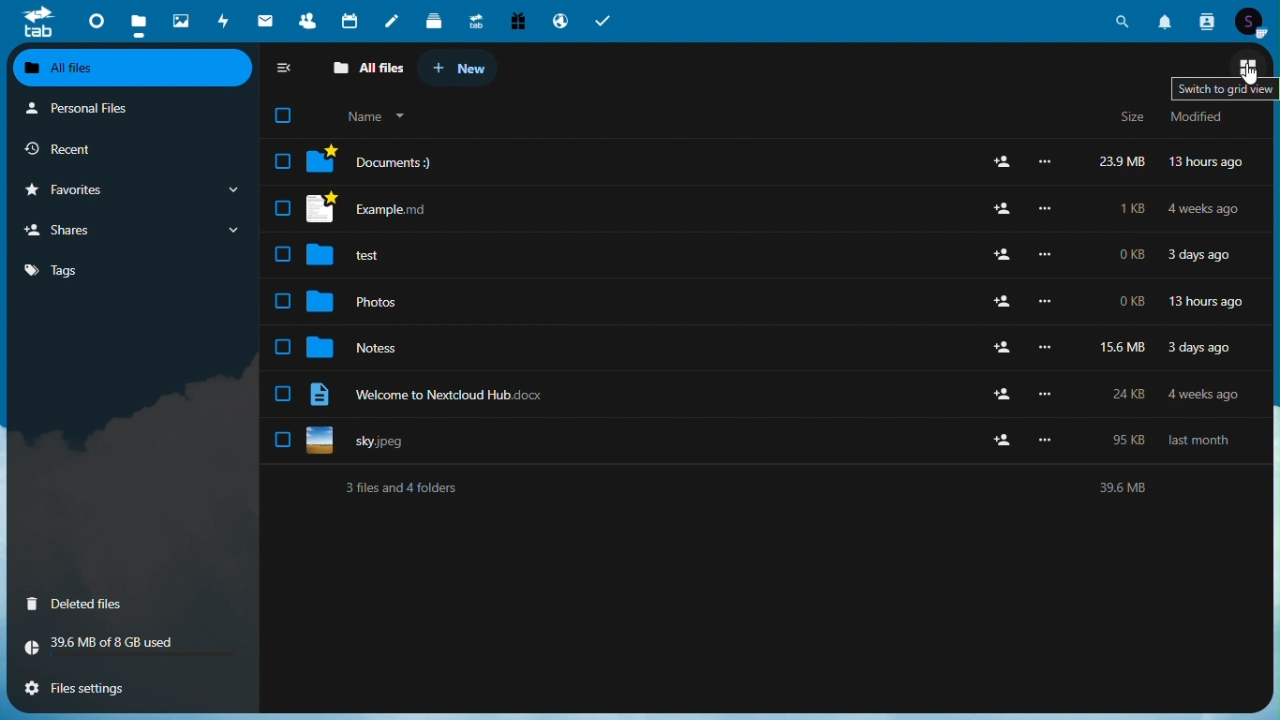 This screenshot has width=1280, height=720. I want to click on add user, so click(1000, 161).